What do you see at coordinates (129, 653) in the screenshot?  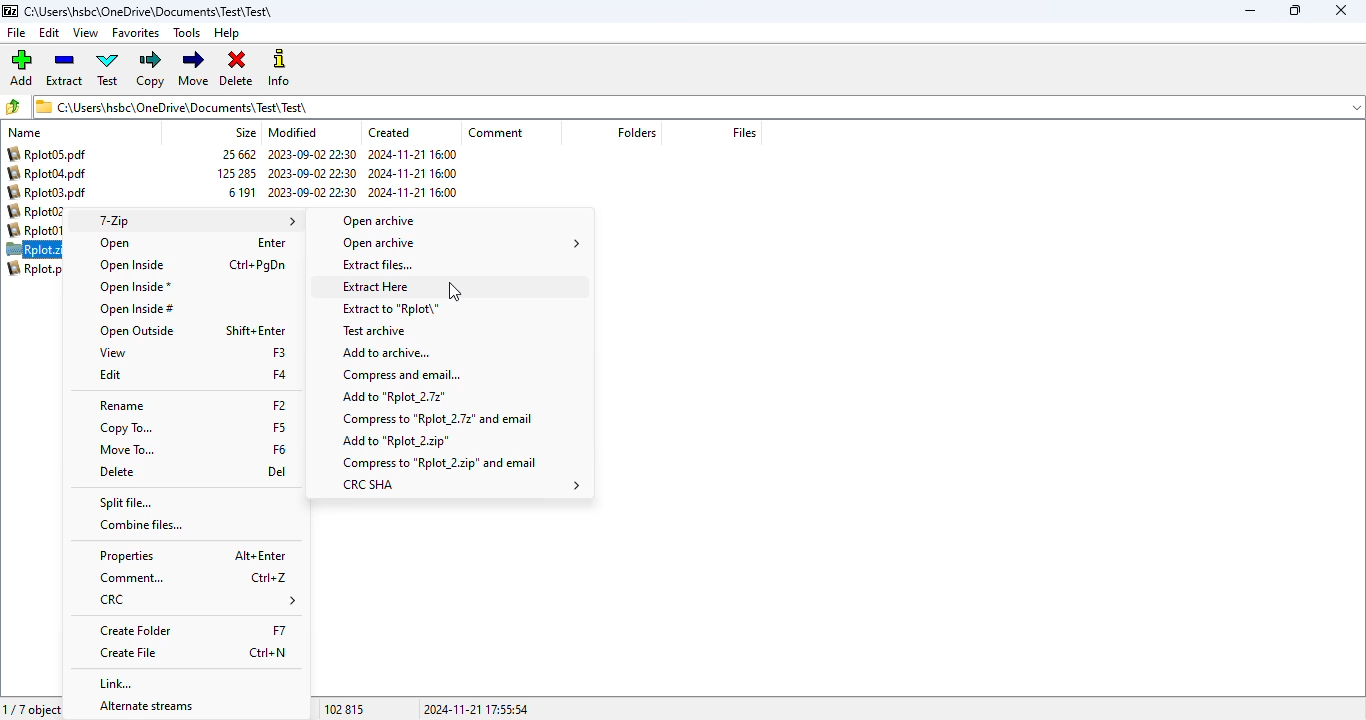 I see `create file` at bounding box center [129, 653].